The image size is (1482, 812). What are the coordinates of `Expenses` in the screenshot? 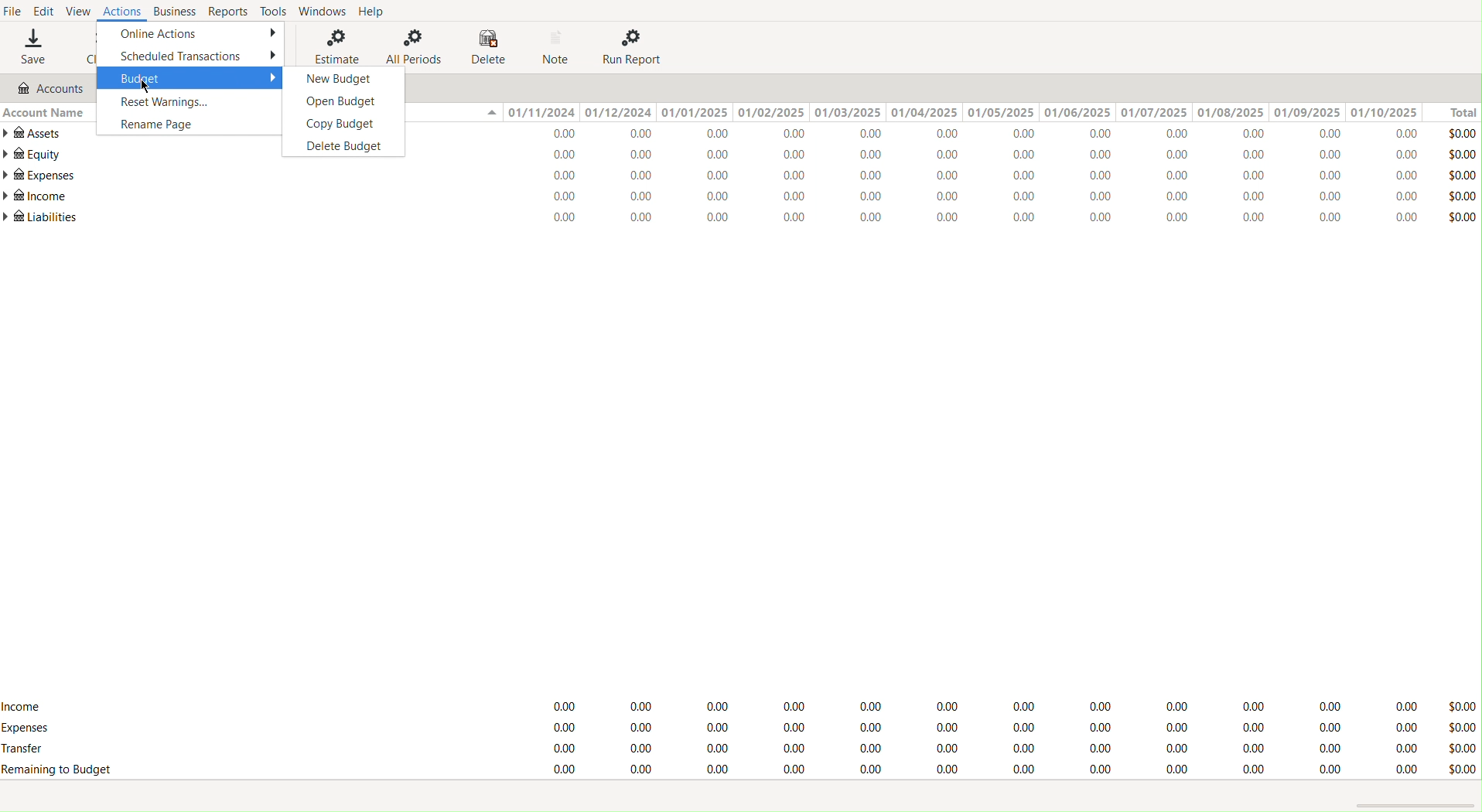 It's located at (27, 728).